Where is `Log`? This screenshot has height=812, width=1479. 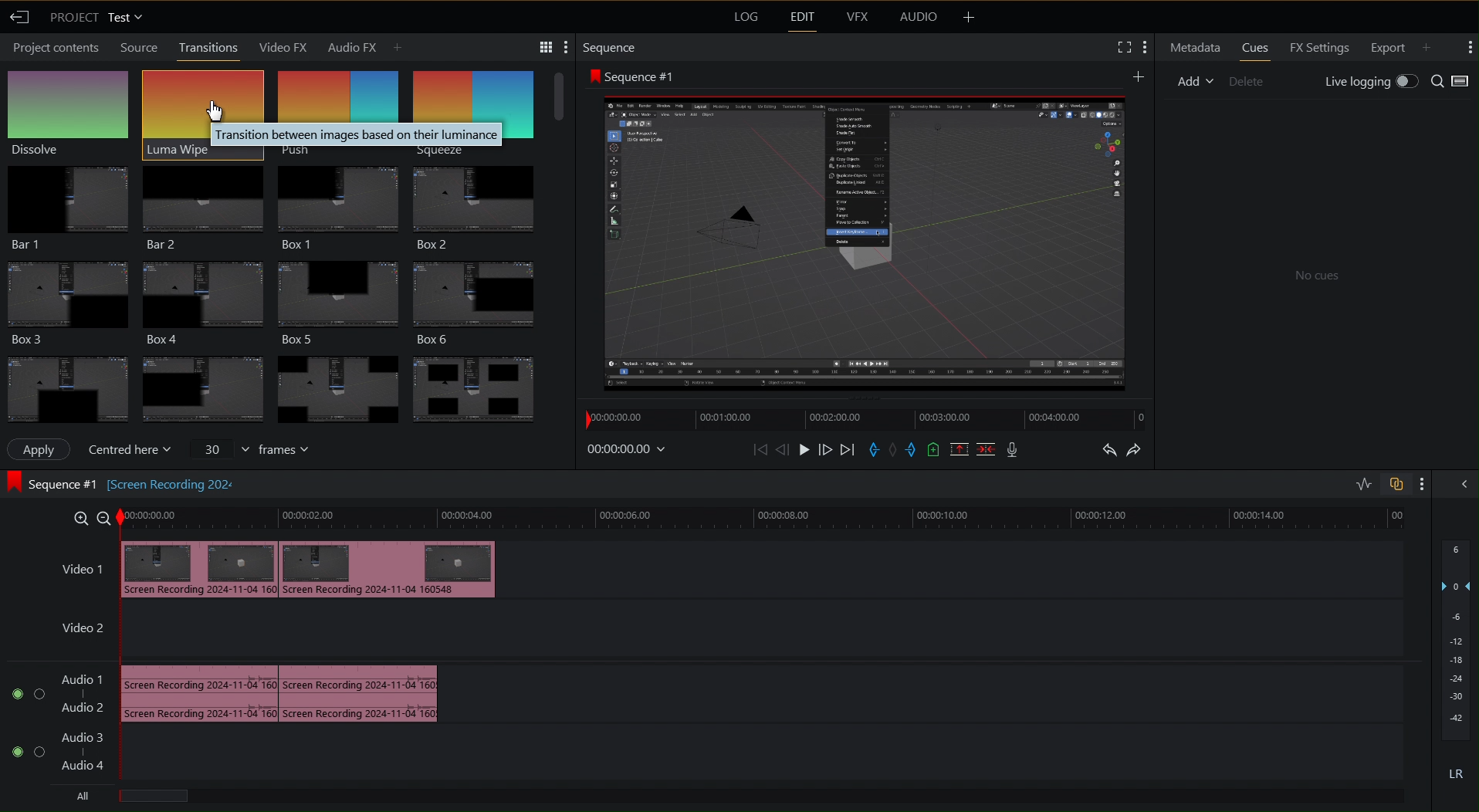
Log is located at coordinates (744, 18).